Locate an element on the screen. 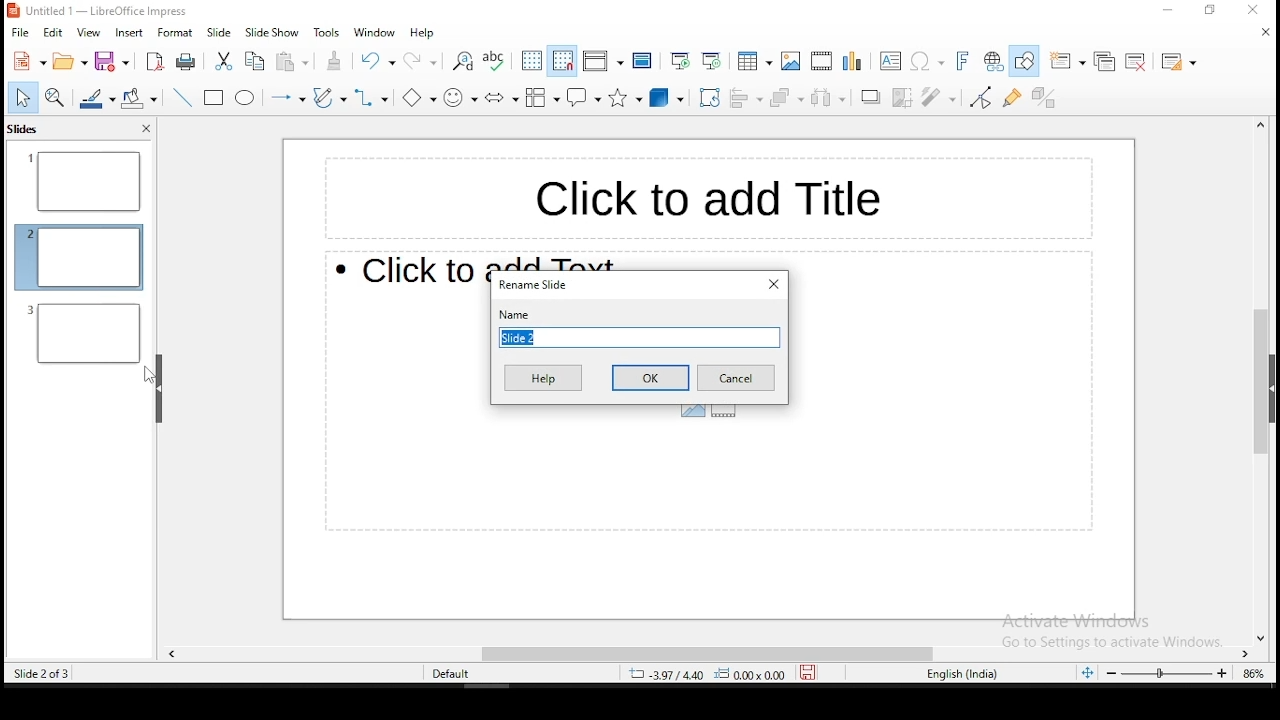 The height and width of the screenshot is (720, 1280). mouse pointer is located at coordinates (151, 379).